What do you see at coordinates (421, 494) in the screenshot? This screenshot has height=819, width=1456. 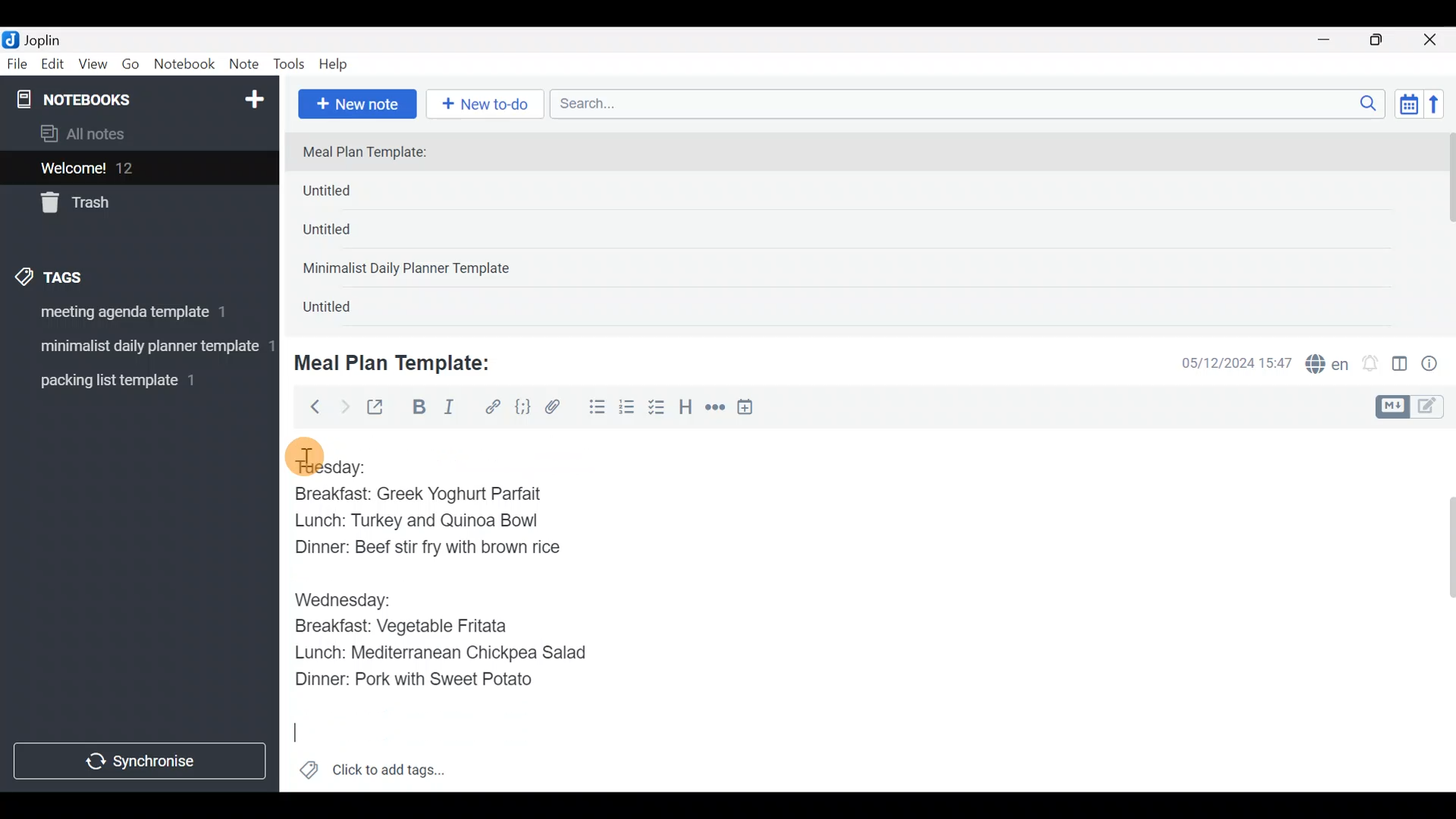 I see `Breakfast: Greek Yoghurt Parfait` at bounding box center [421, 494].